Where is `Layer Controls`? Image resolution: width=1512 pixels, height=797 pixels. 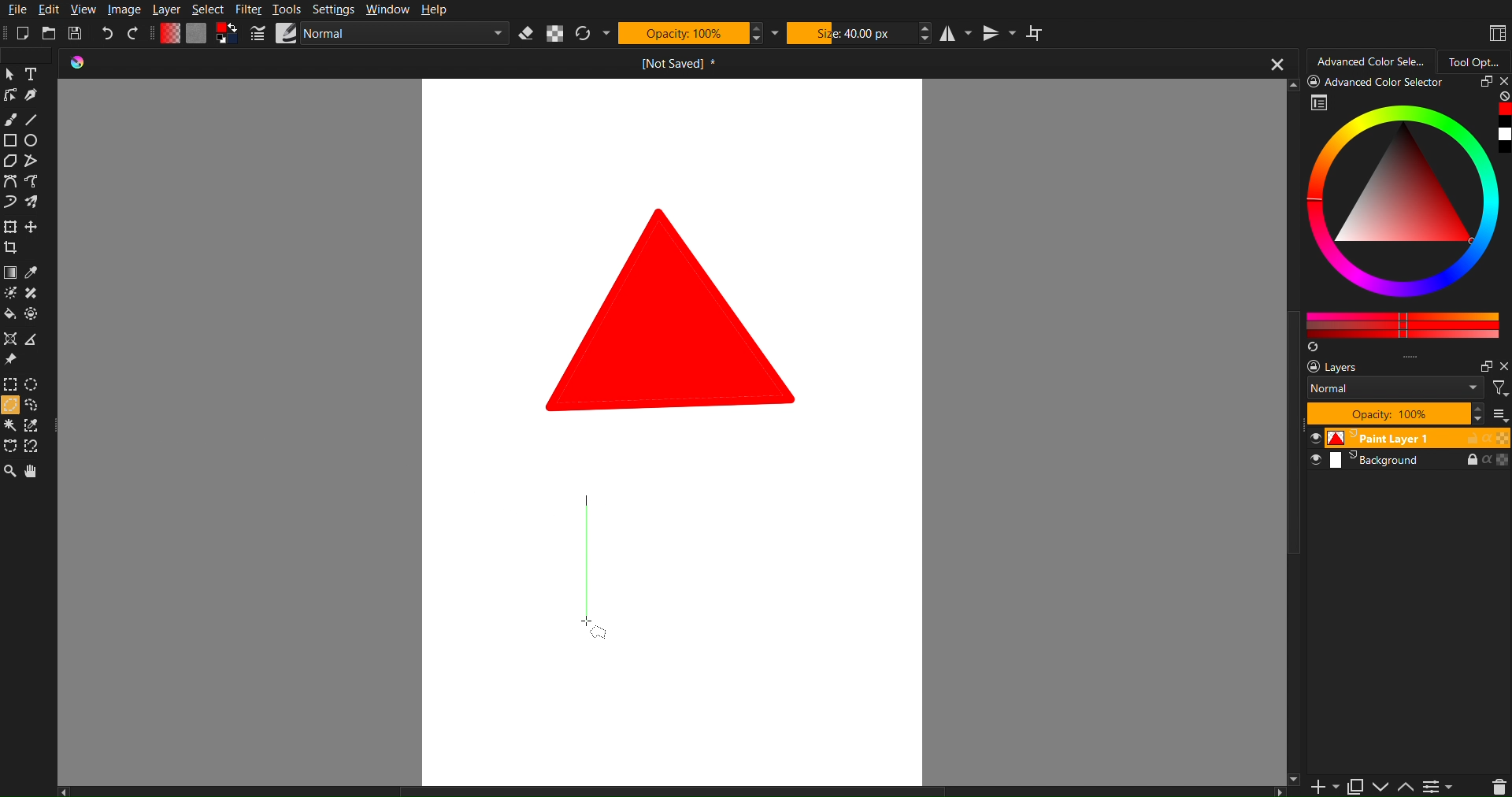
Layer Controls is located at coordinates (1499, 786).